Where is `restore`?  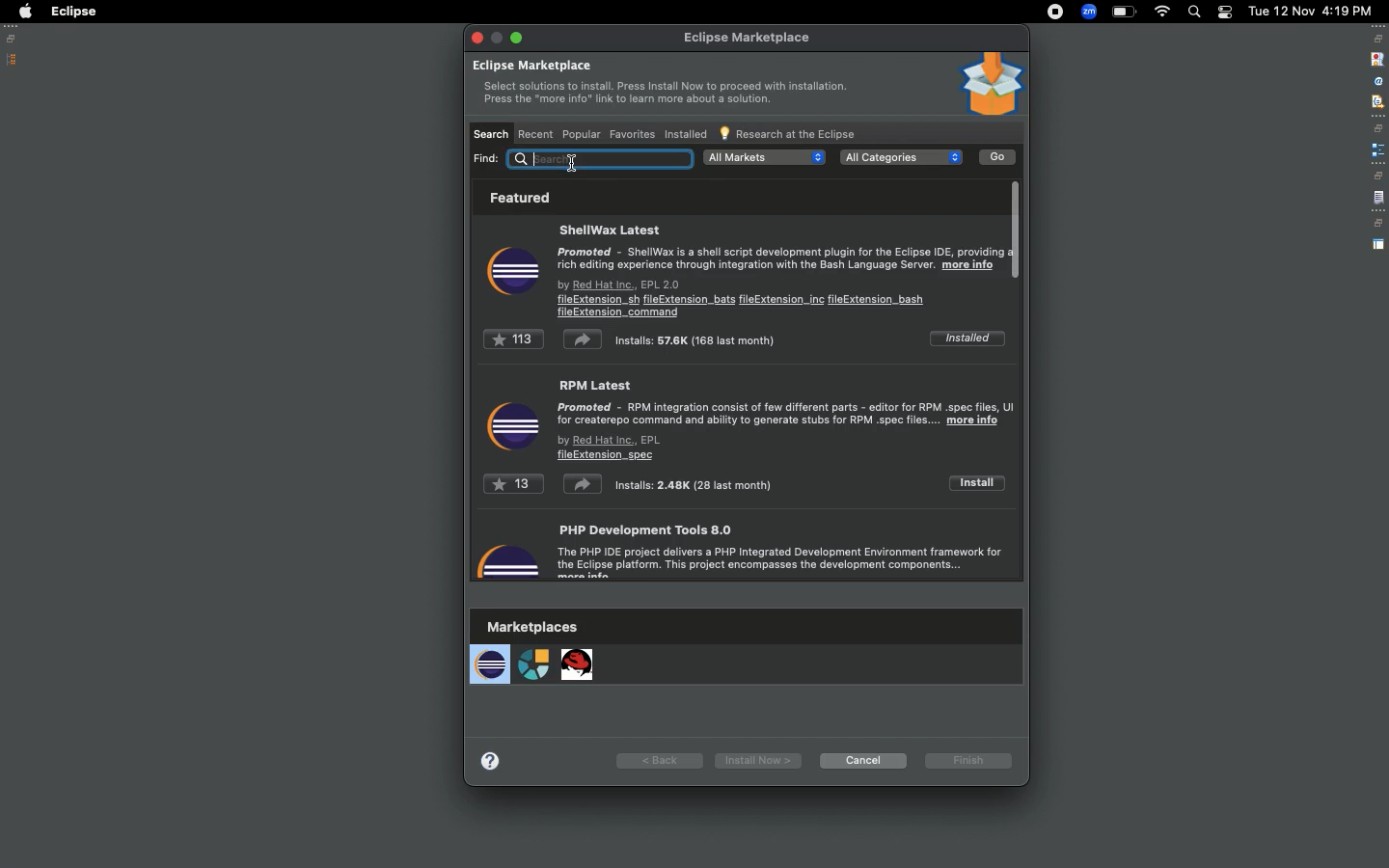
restore is located at coordinates (1377, 176).